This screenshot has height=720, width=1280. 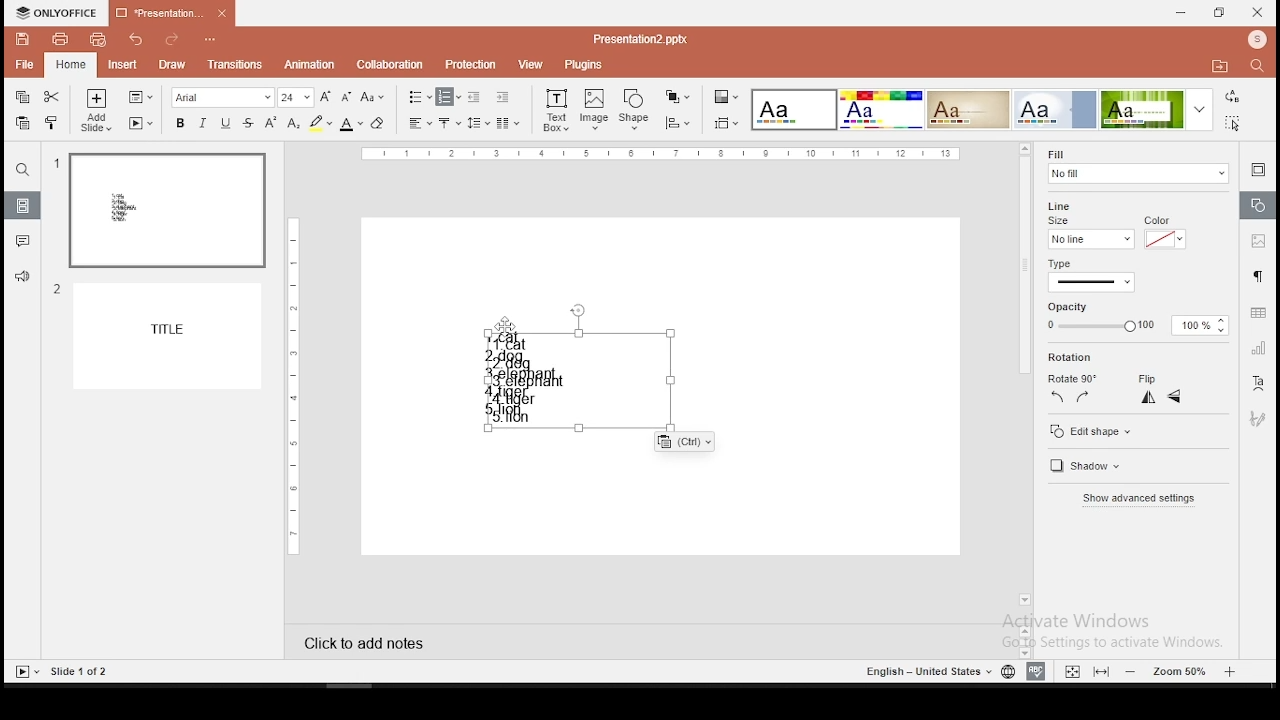 I want to click on vertical alignment, so click(x=451, y=122).